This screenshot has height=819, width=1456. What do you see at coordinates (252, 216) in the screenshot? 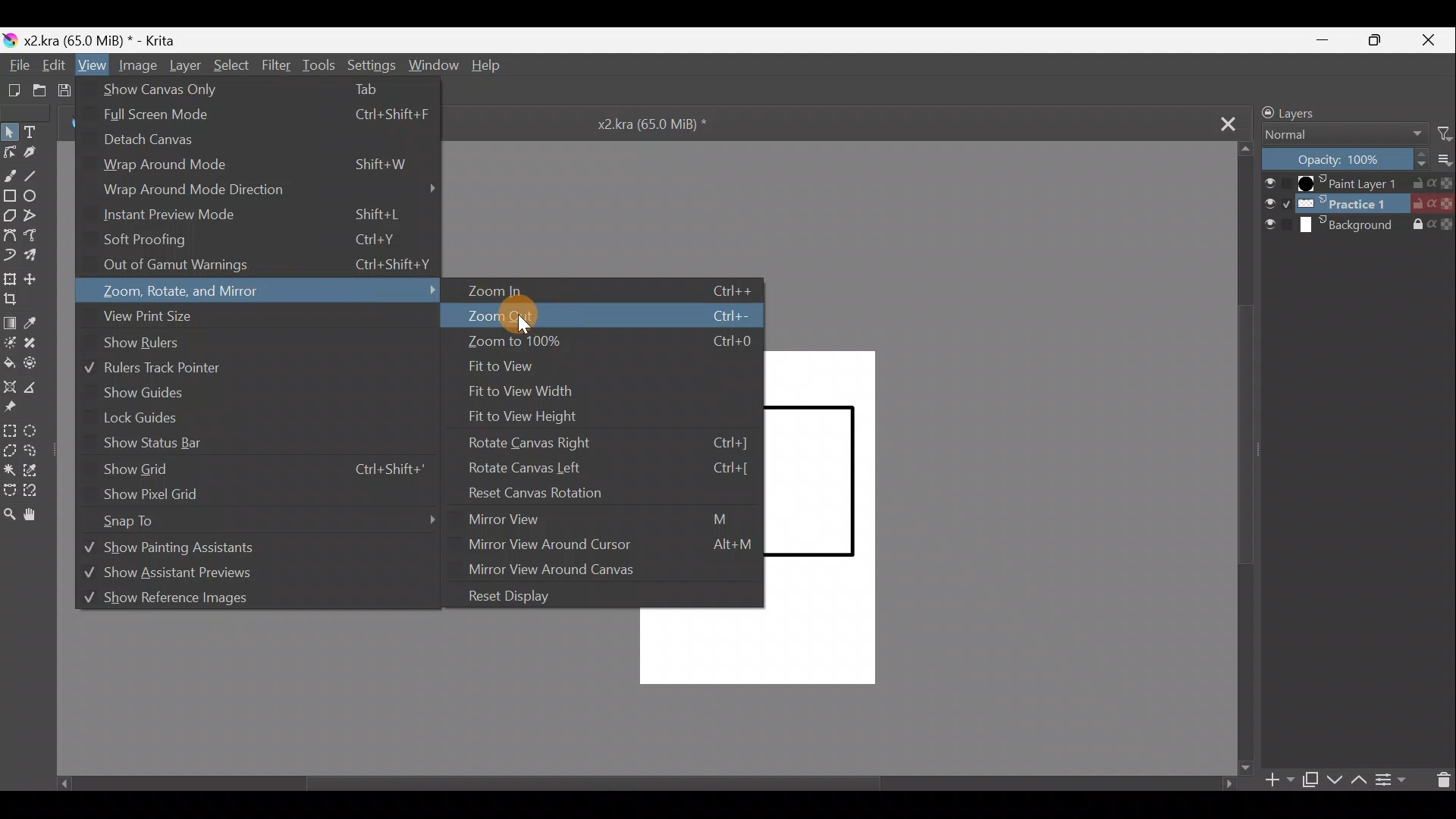
I see `Instant preview mode` at bounding box center [252, 216].